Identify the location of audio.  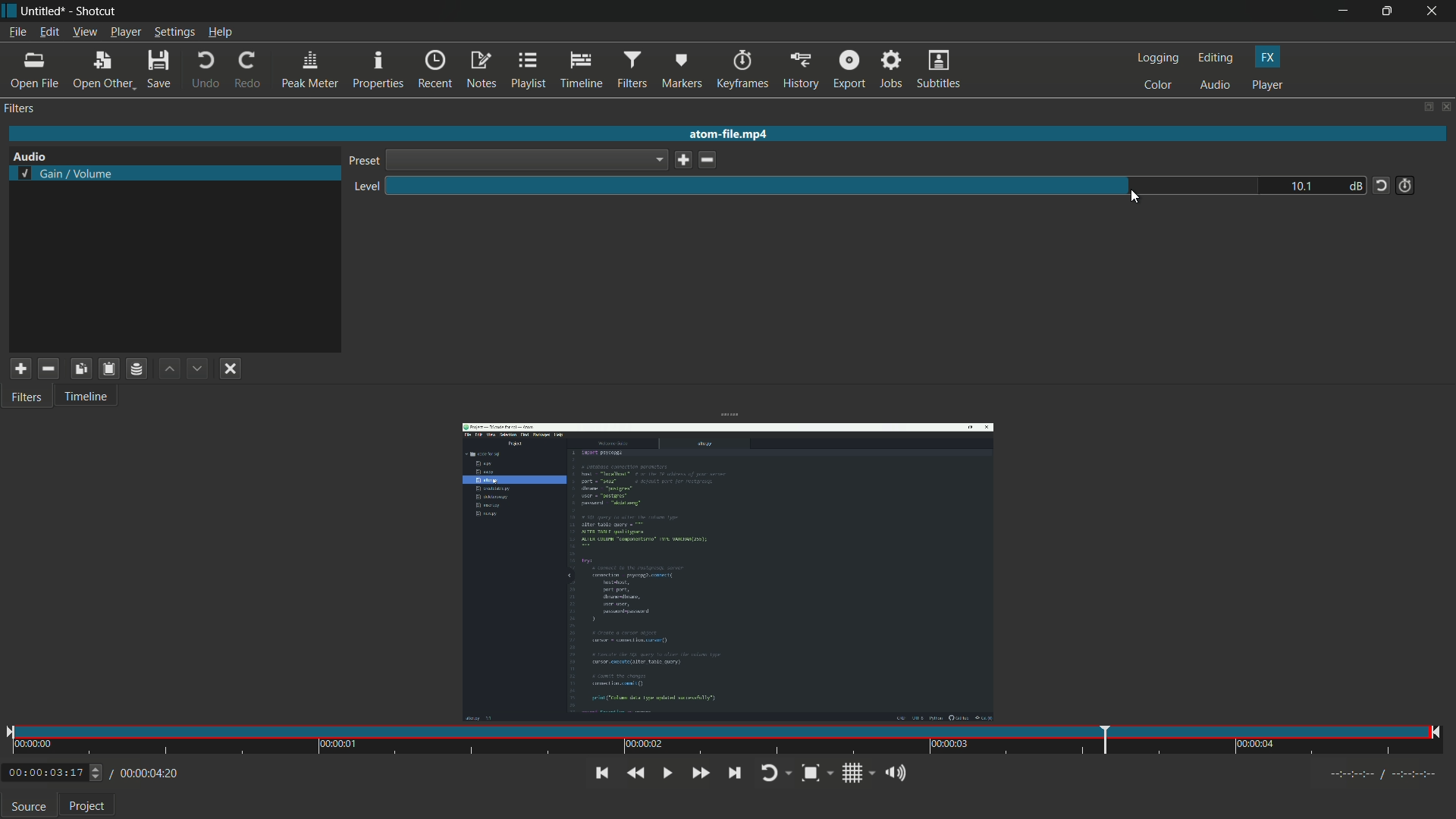
(1216, 86).